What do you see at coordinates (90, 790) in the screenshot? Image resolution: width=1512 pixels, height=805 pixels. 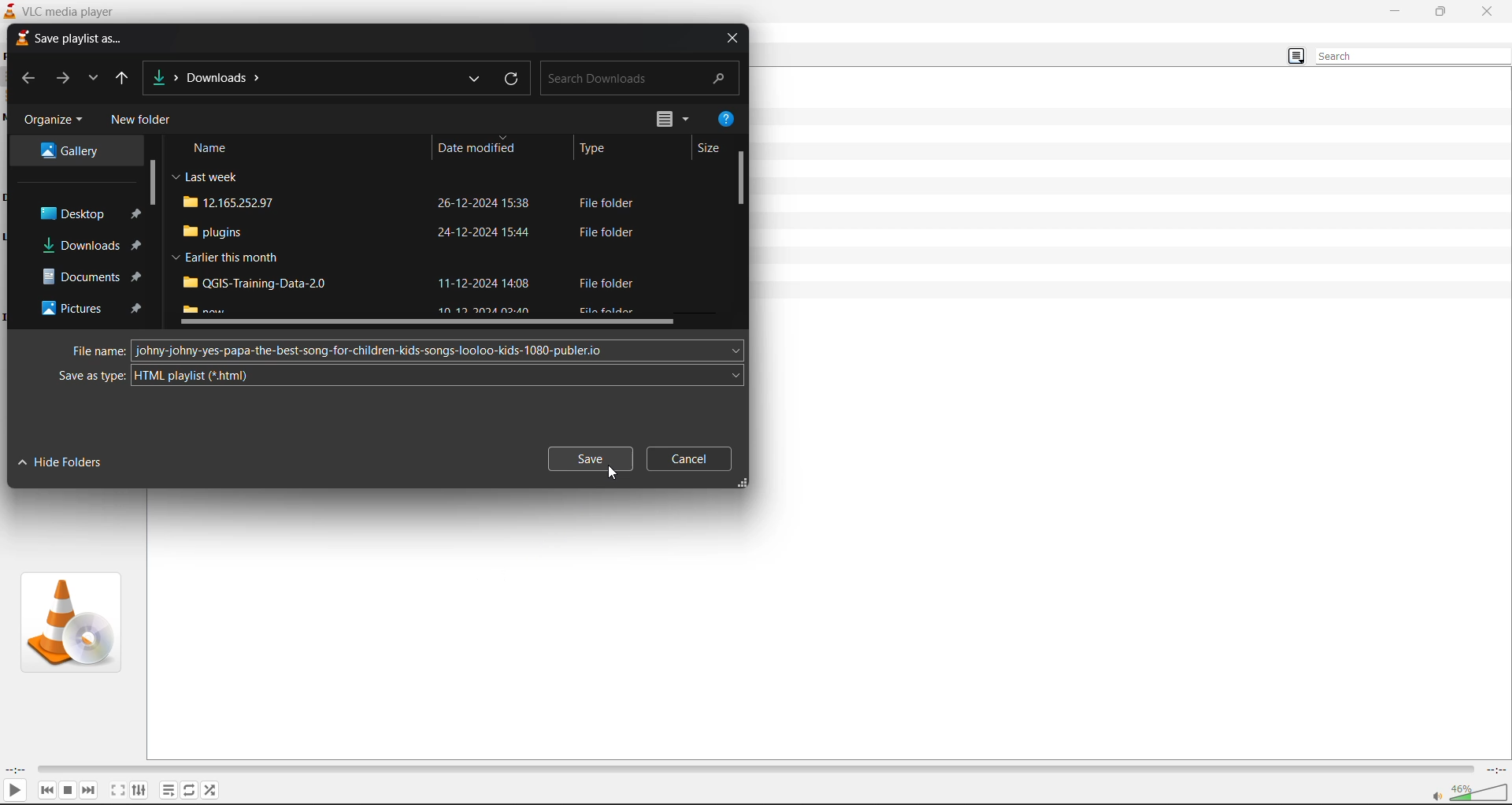 I see `next` at bounding box center [90, 790].